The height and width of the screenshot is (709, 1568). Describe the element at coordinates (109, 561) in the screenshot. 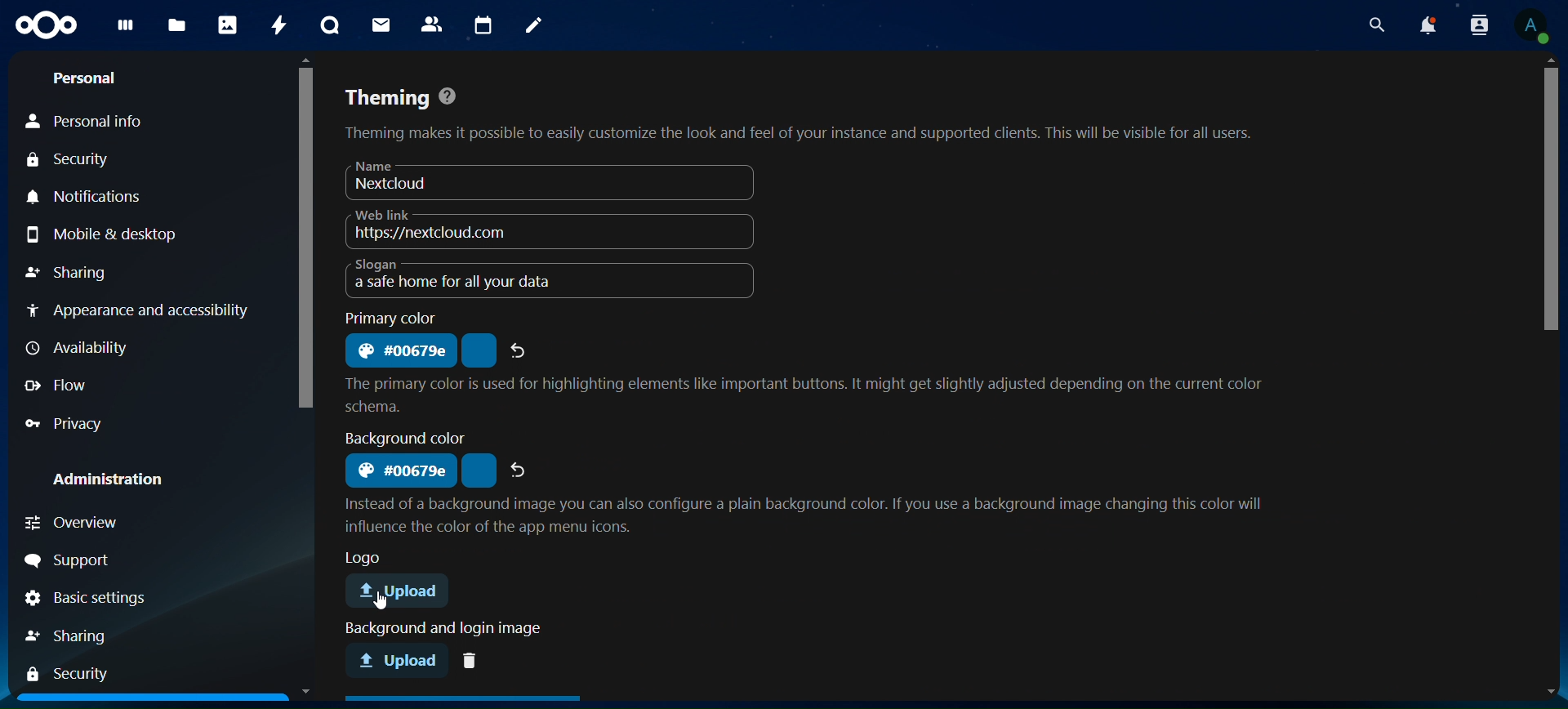

I see `support` at that location.